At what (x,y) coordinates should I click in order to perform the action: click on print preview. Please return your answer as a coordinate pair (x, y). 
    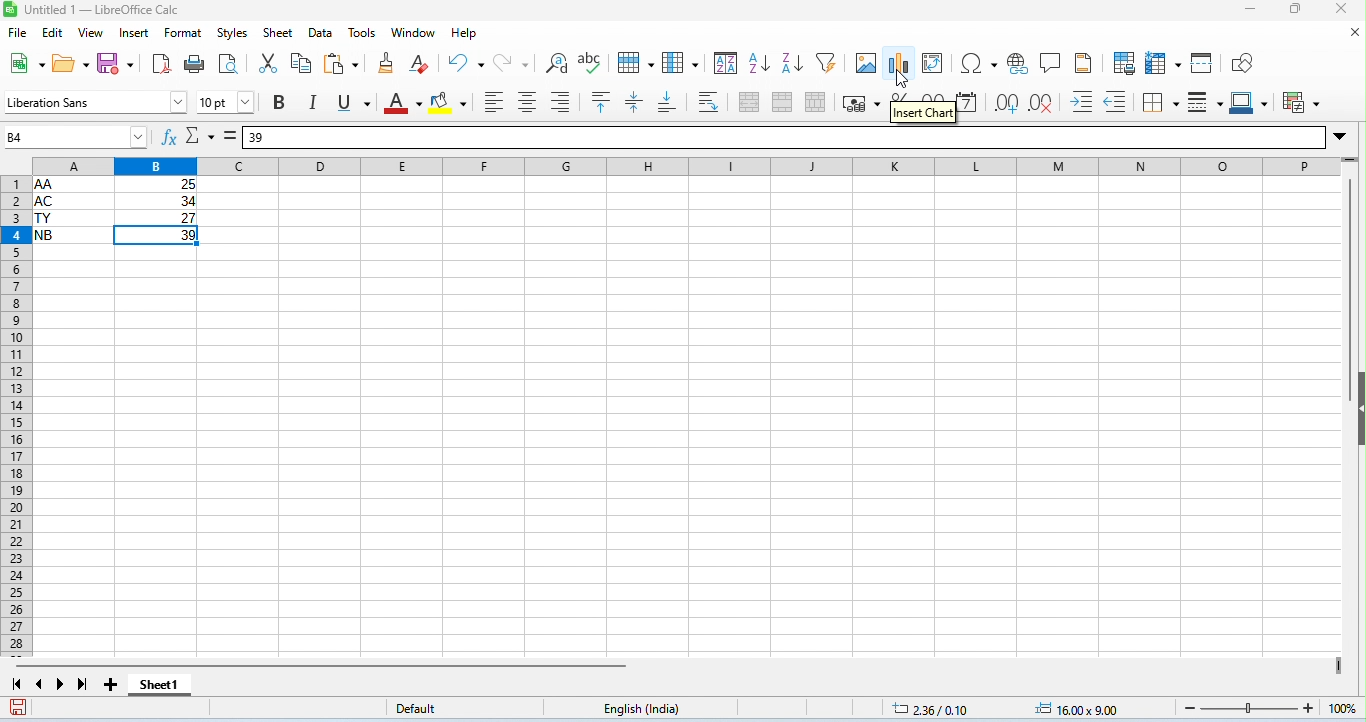
    Looking at the image, I should click on (230, 64).